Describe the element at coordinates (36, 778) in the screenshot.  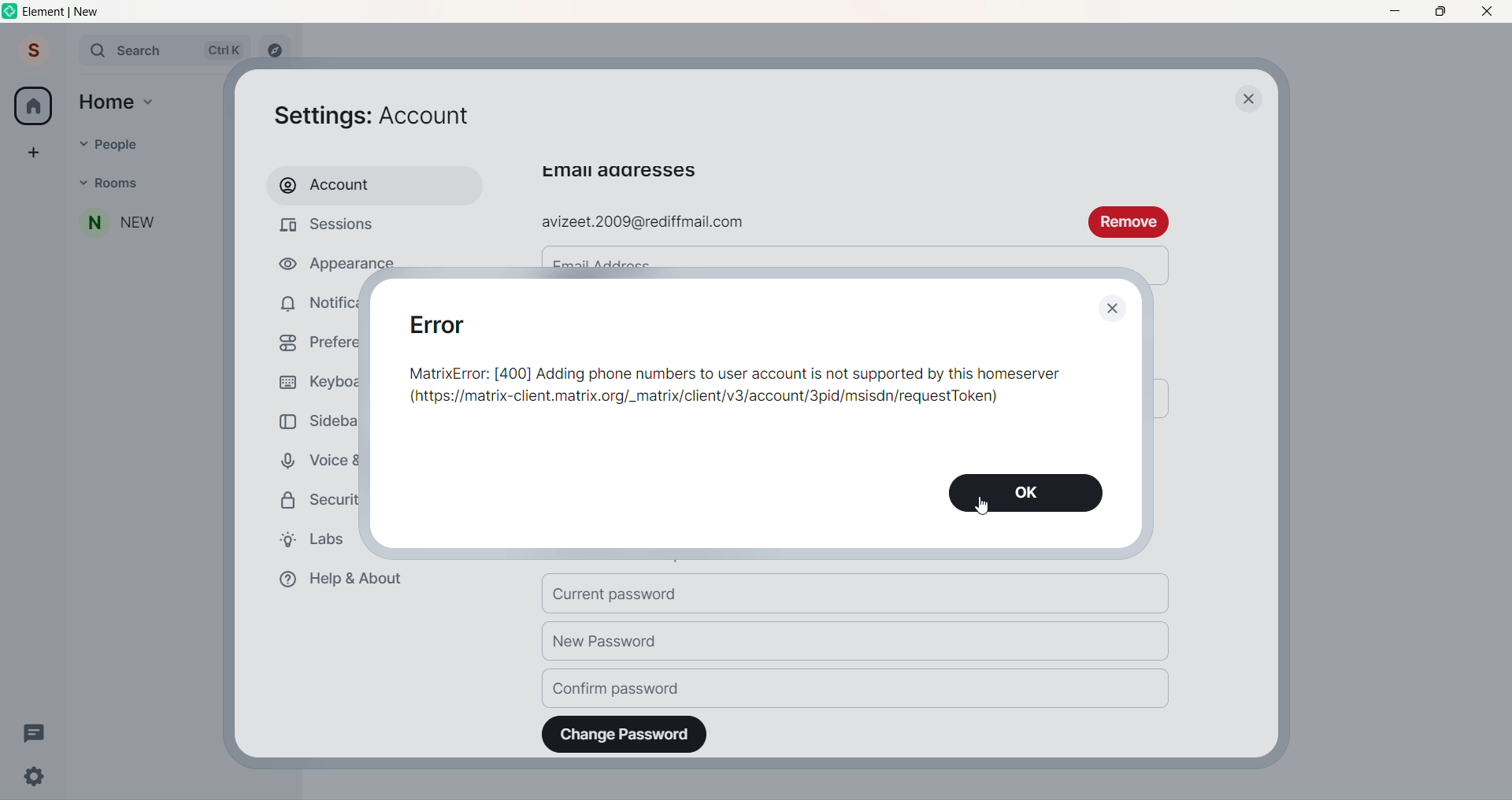
I see `Quick Setting` at that location.